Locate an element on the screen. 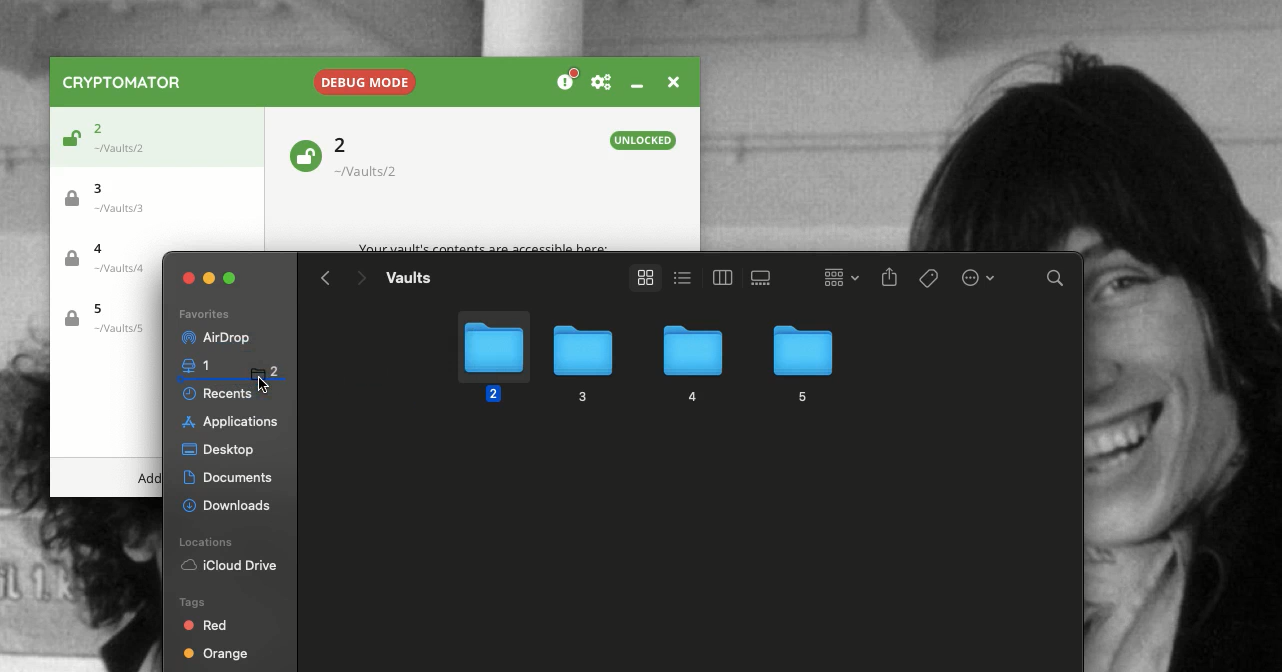  Airdrop is located at coordinates (214, 338).